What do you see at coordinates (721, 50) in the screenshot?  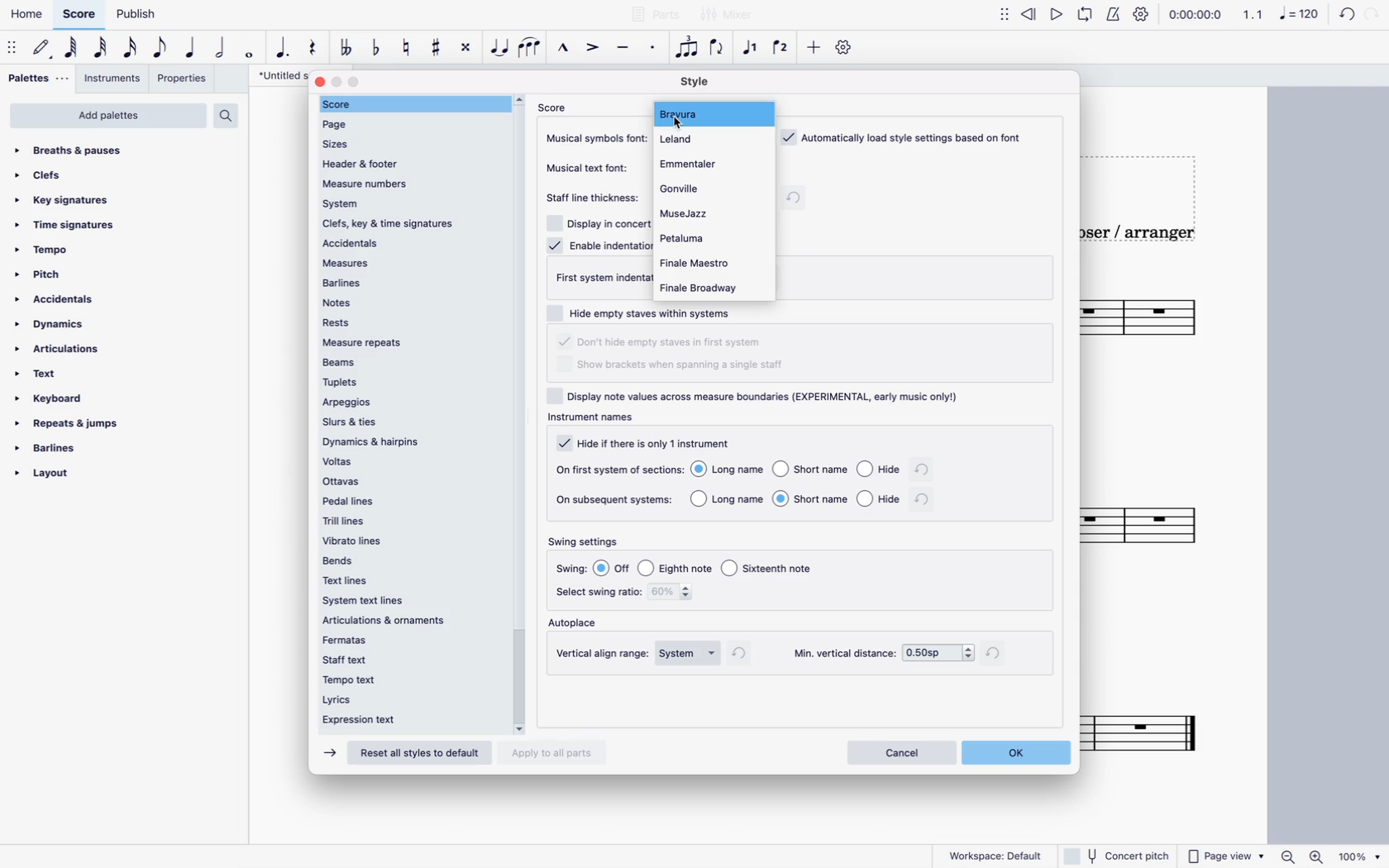 I see `flip direction` at bounding box center [721, 50].